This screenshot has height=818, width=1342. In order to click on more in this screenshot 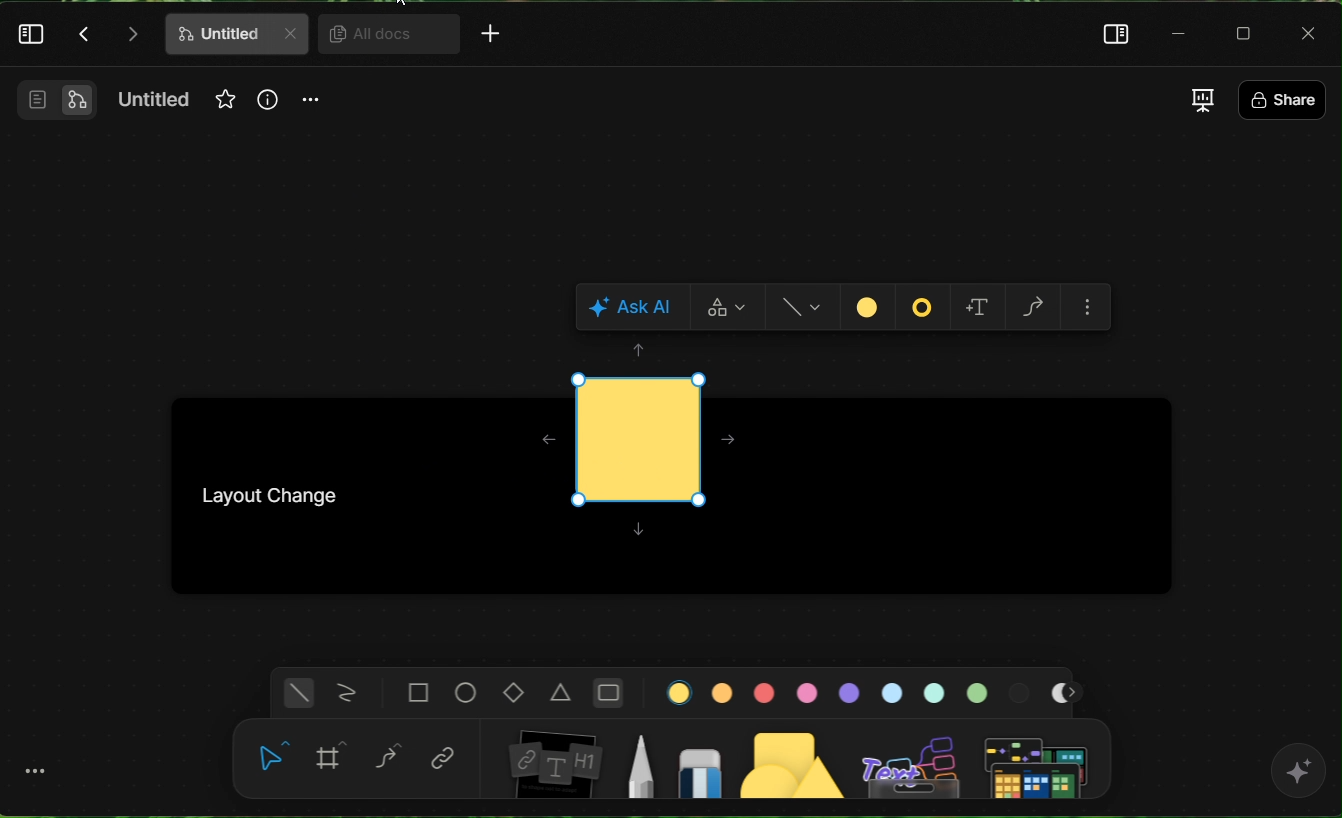, I will do `click(35, 771)`.